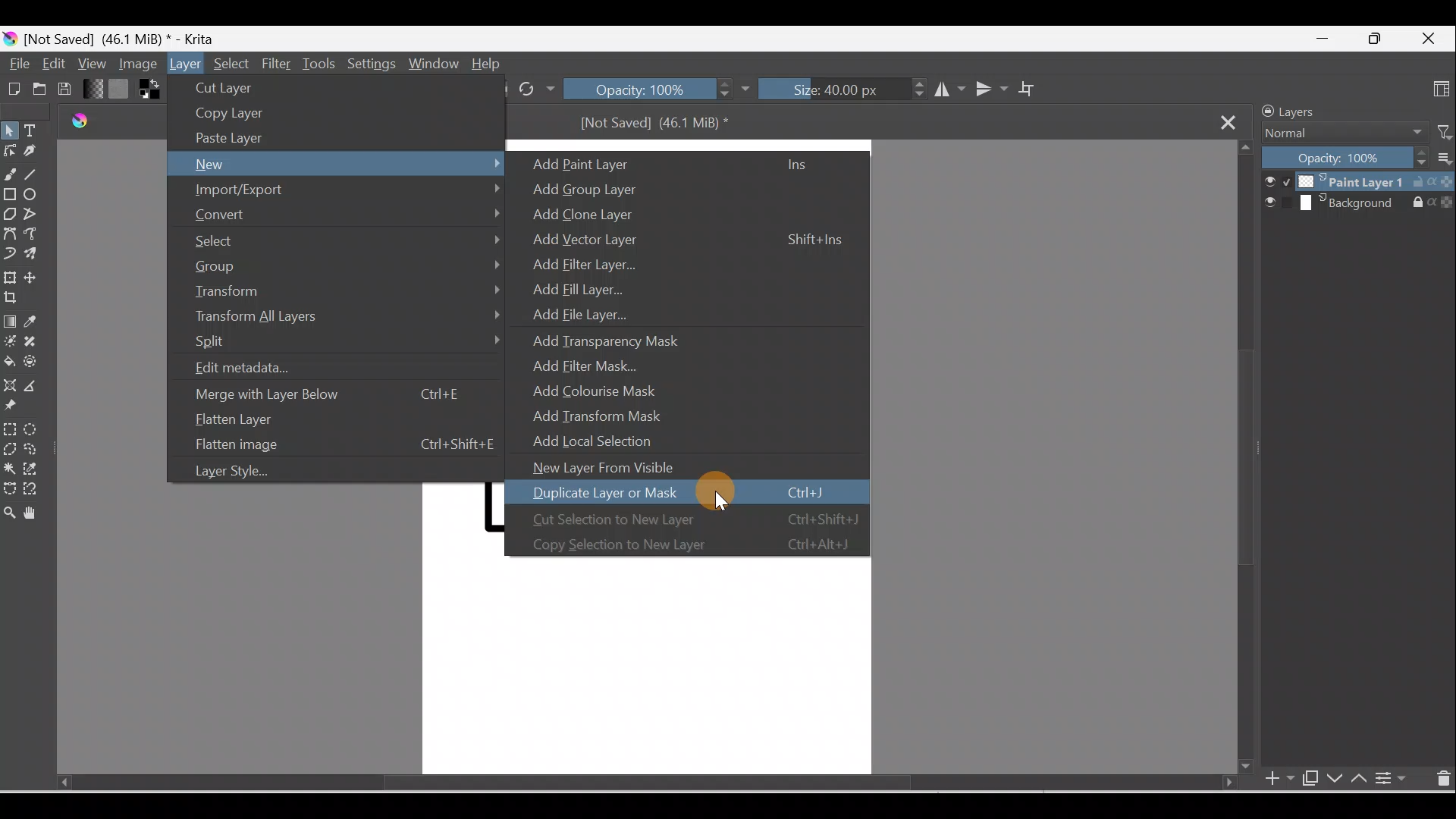 Image resolution: width=1456 pixels, height=819 pixels. Describe the element at coordinates (34, 513) in the screenshot. I see `Pan tool` at that location.